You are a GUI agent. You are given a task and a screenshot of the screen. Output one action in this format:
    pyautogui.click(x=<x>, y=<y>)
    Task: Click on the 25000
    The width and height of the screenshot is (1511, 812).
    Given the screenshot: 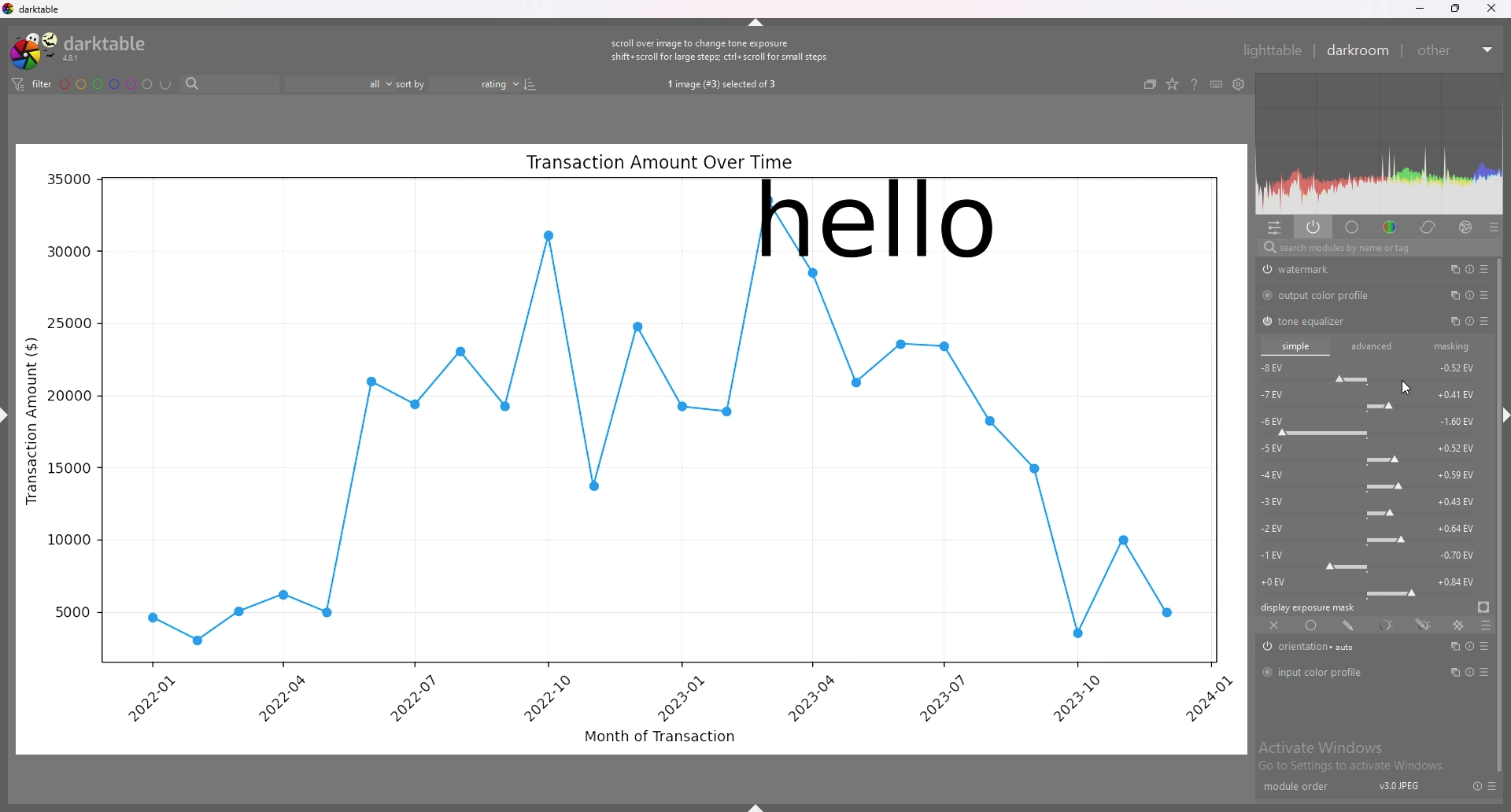 What is the action you would take?
    pyautogui.click(x=68, y=322)
    